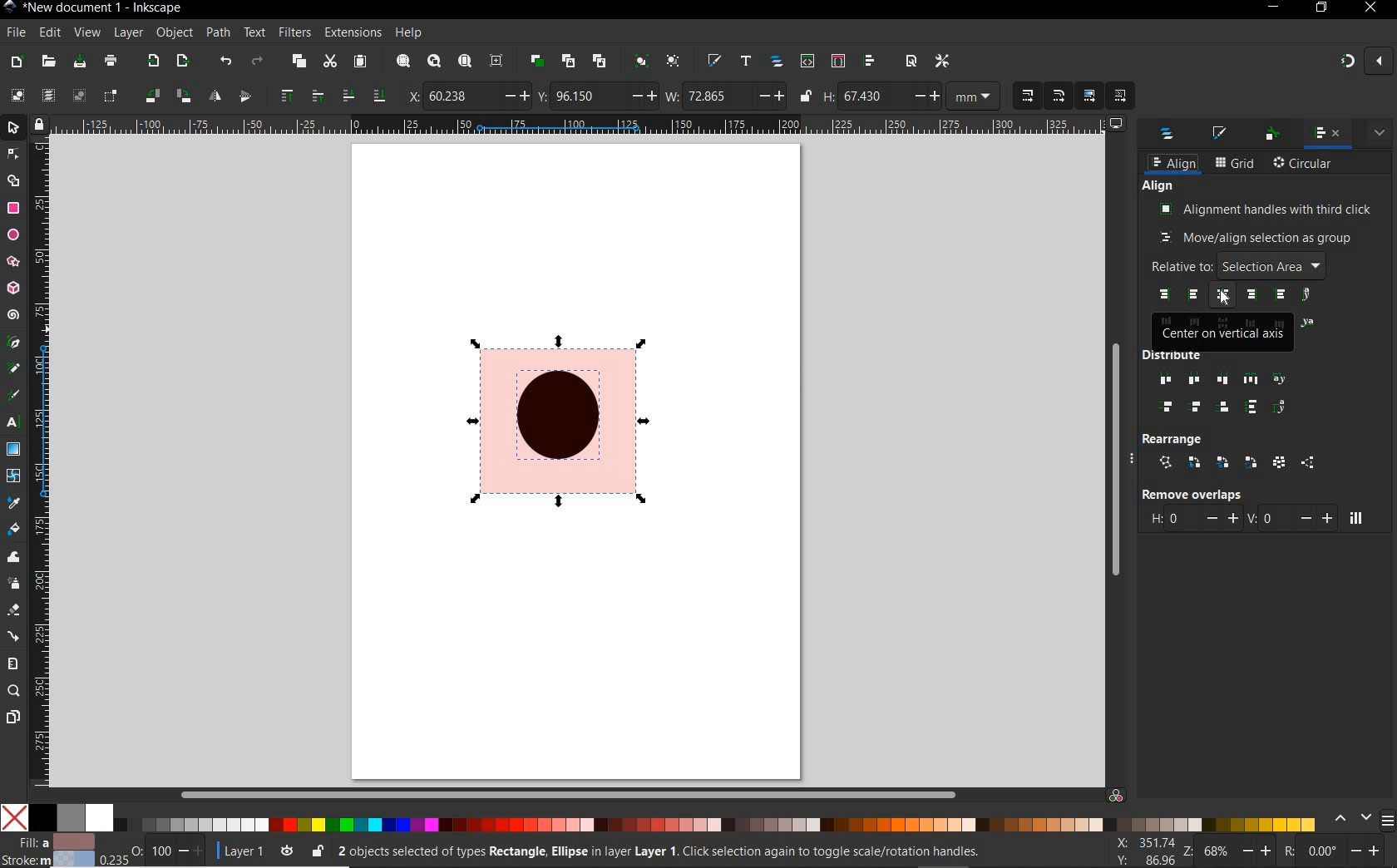 This screenshot has width=1397, height=868. What do you see at coordinates (1304, 165) in the screenshot?
I see `circular` at bounding box center [1304, 165].